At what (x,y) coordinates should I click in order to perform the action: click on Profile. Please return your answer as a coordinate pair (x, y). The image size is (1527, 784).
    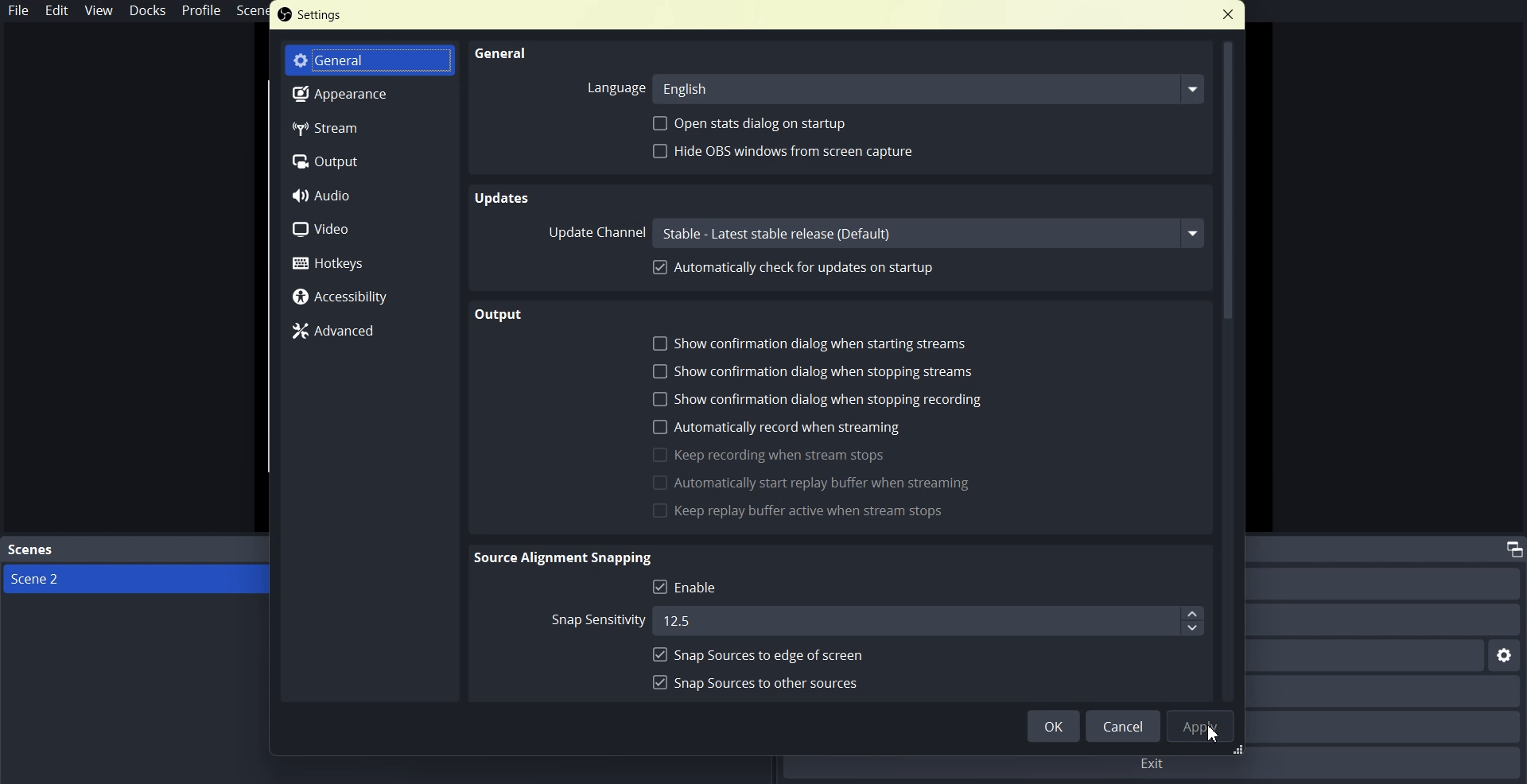
    Looking at the image, I should click on (201, 11).